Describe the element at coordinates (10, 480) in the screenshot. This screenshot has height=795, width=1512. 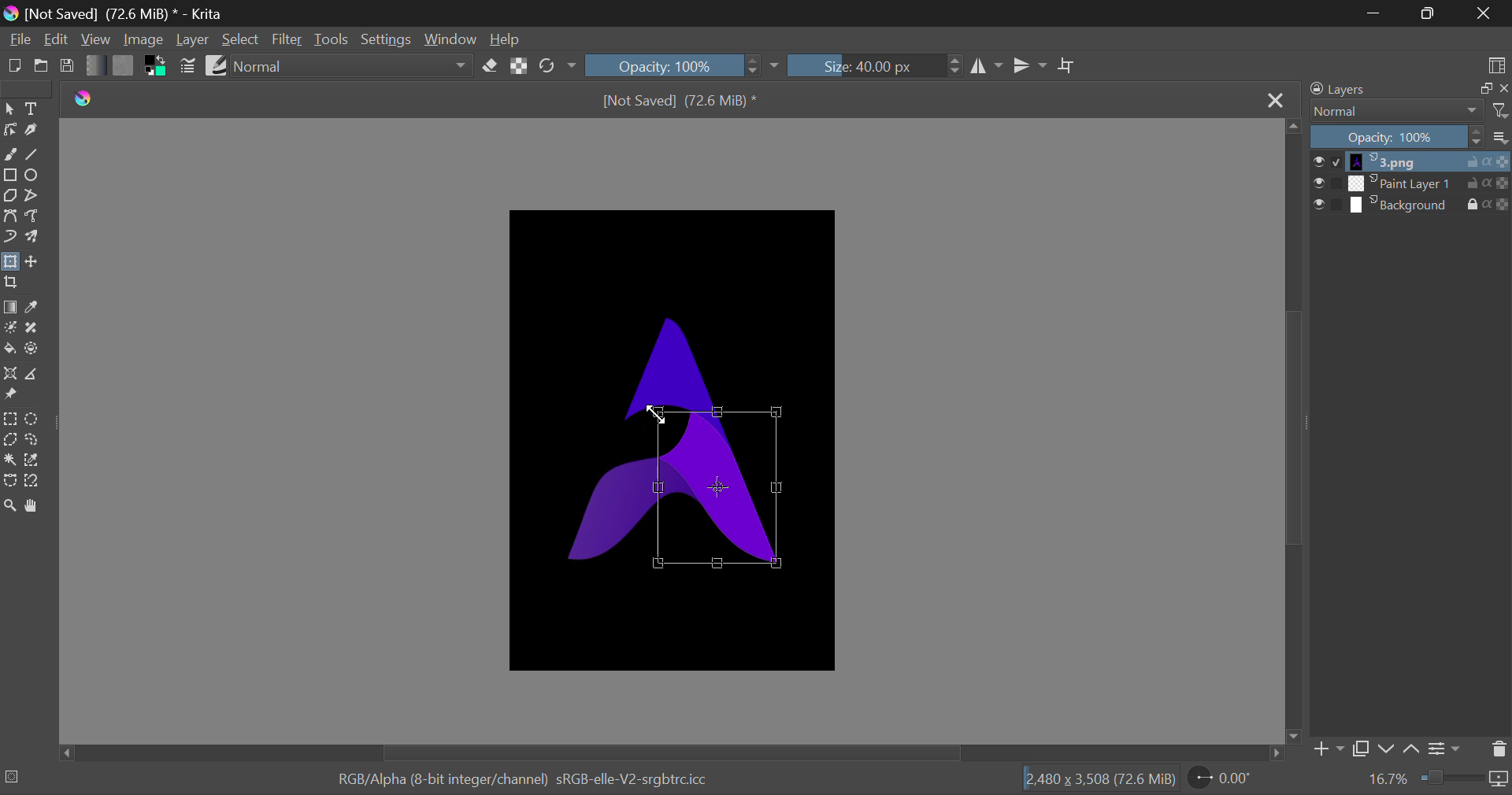
I see `Bezier Curve Selection` at that location.